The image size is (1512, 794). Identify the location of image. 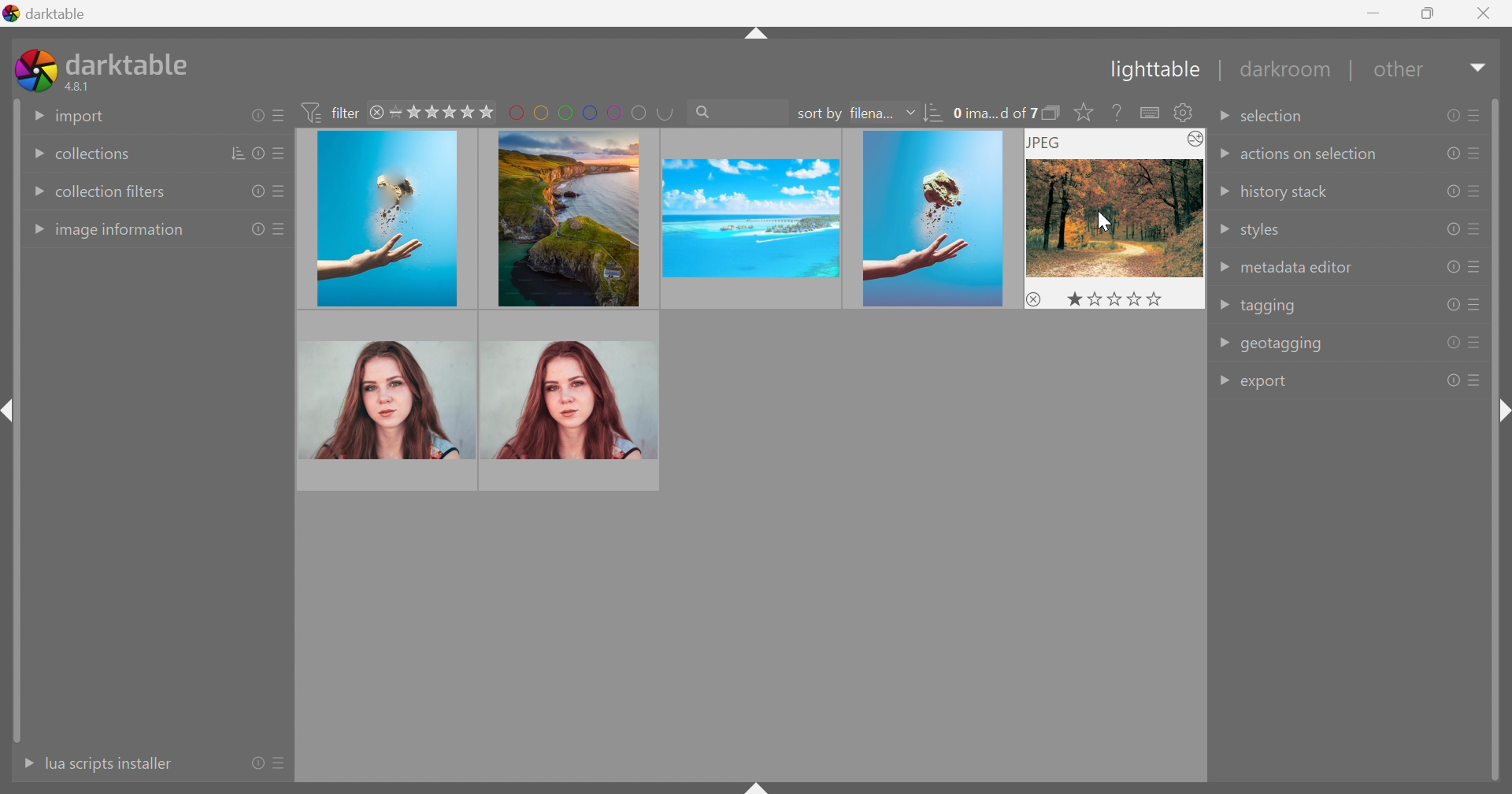
(1113, 218).